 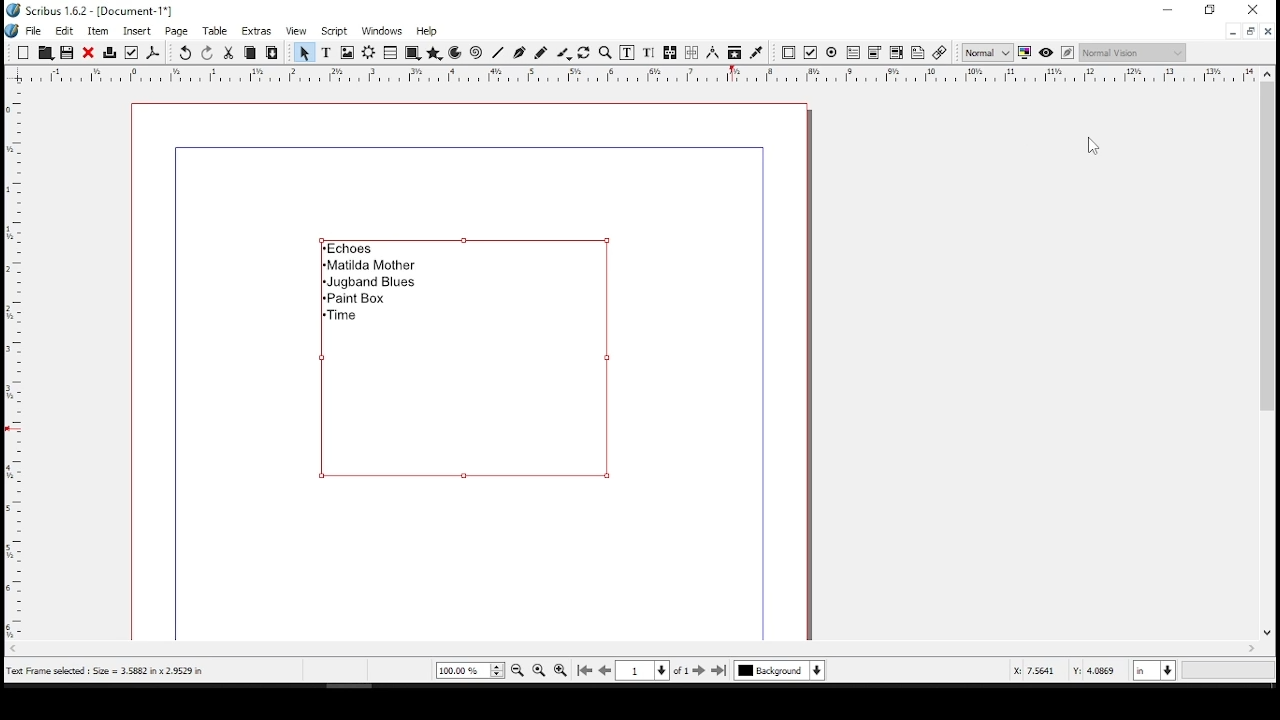 I want to click on select the visual appearance of display, so click(x=1132, y=52).